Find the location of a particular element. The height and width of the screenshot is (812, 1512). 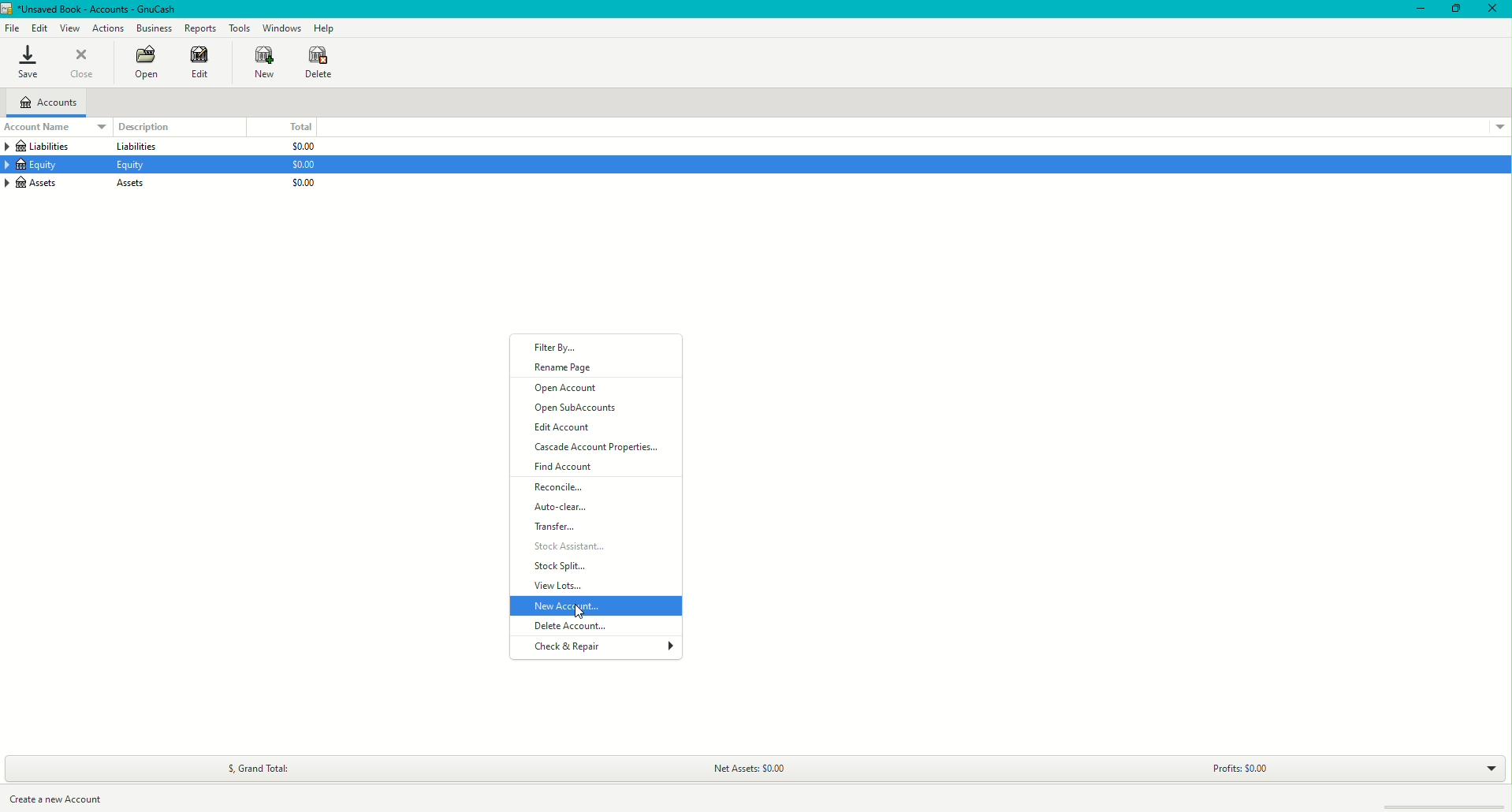

Delete Account is located at coordinates (572, 628).